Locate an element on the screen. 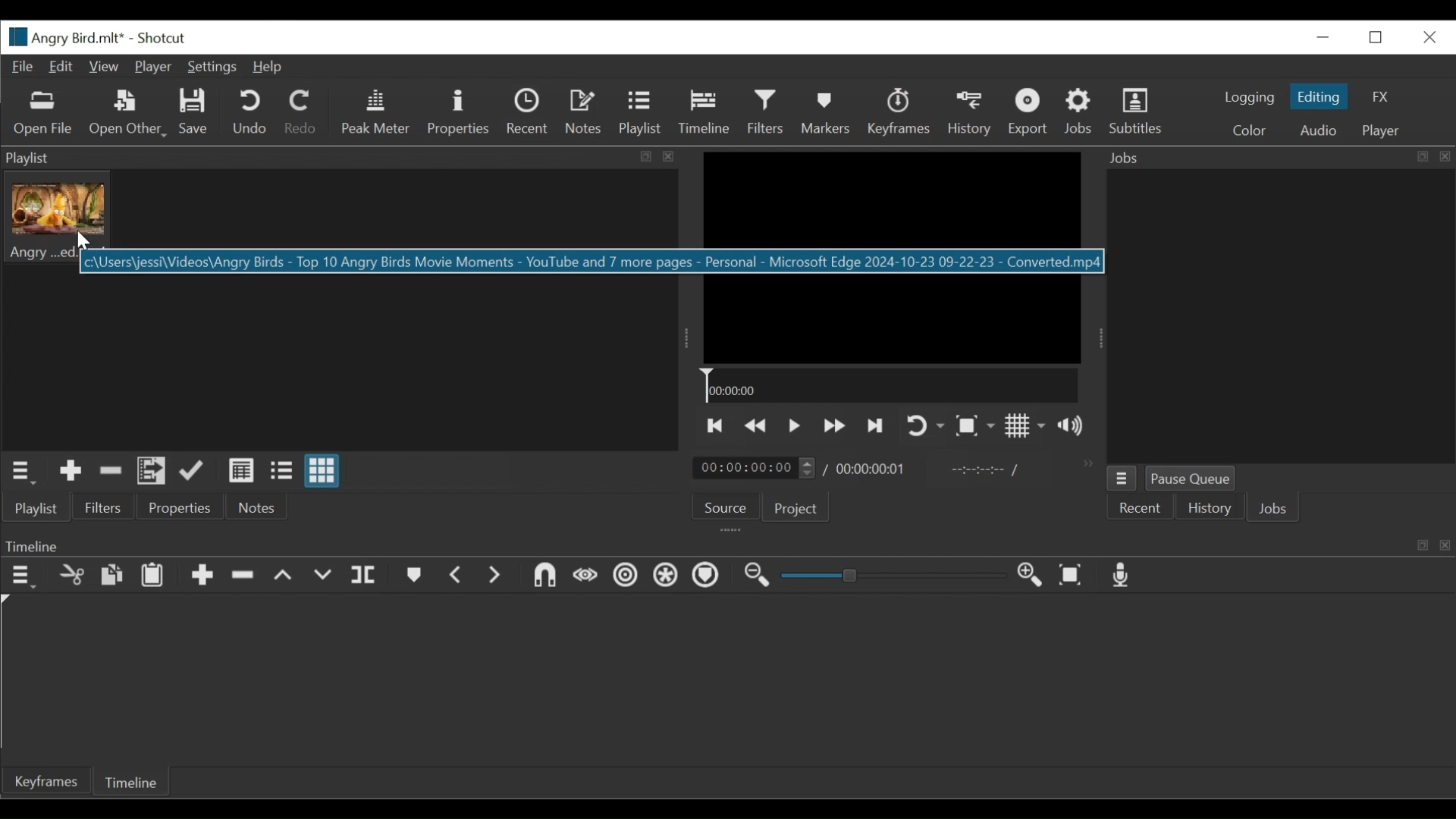  down is located at coordinates (328, 576).